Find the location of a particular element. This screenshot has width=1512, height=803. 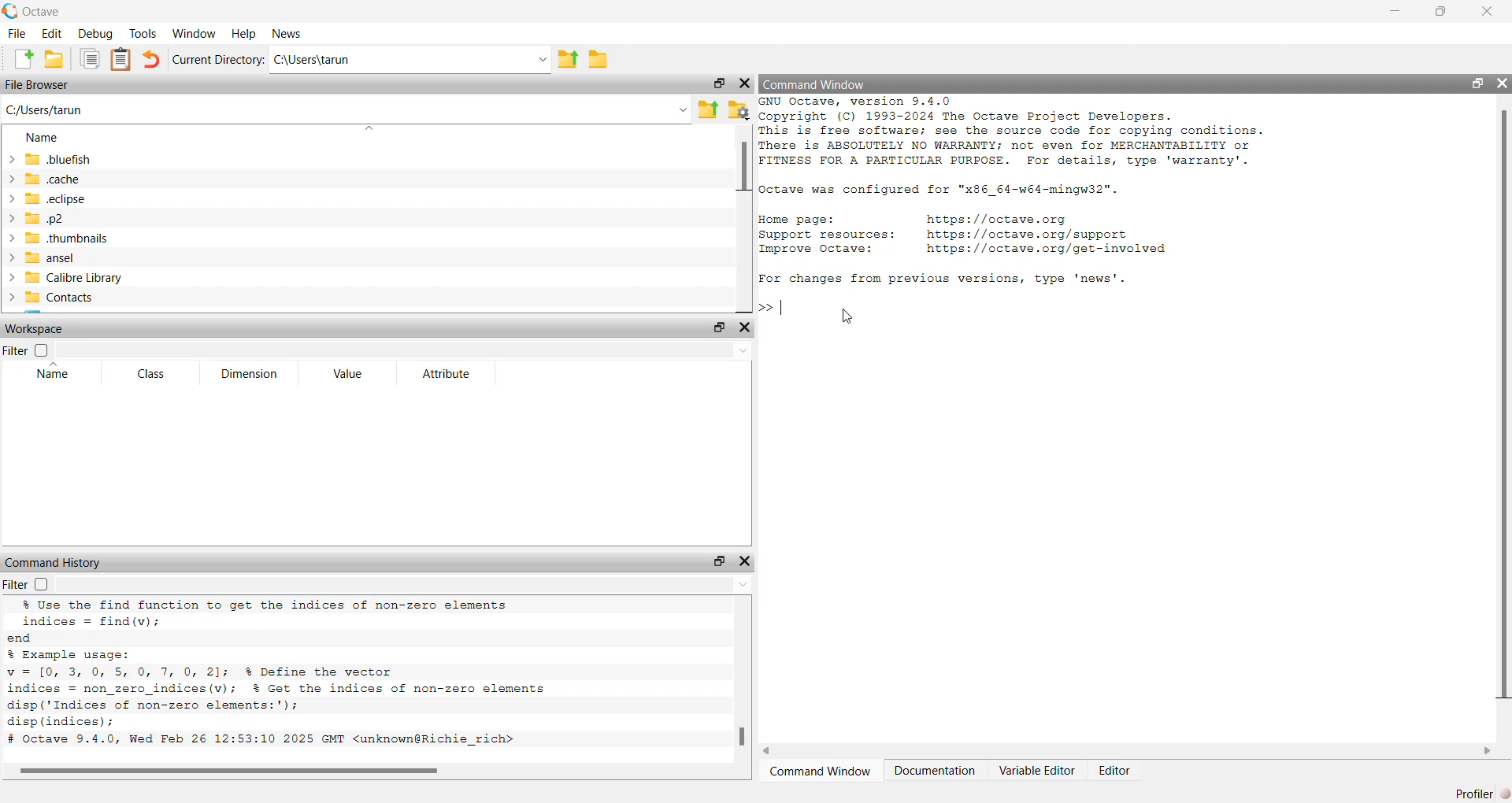

vertical scroll bar is located at coordinates (739, 683).